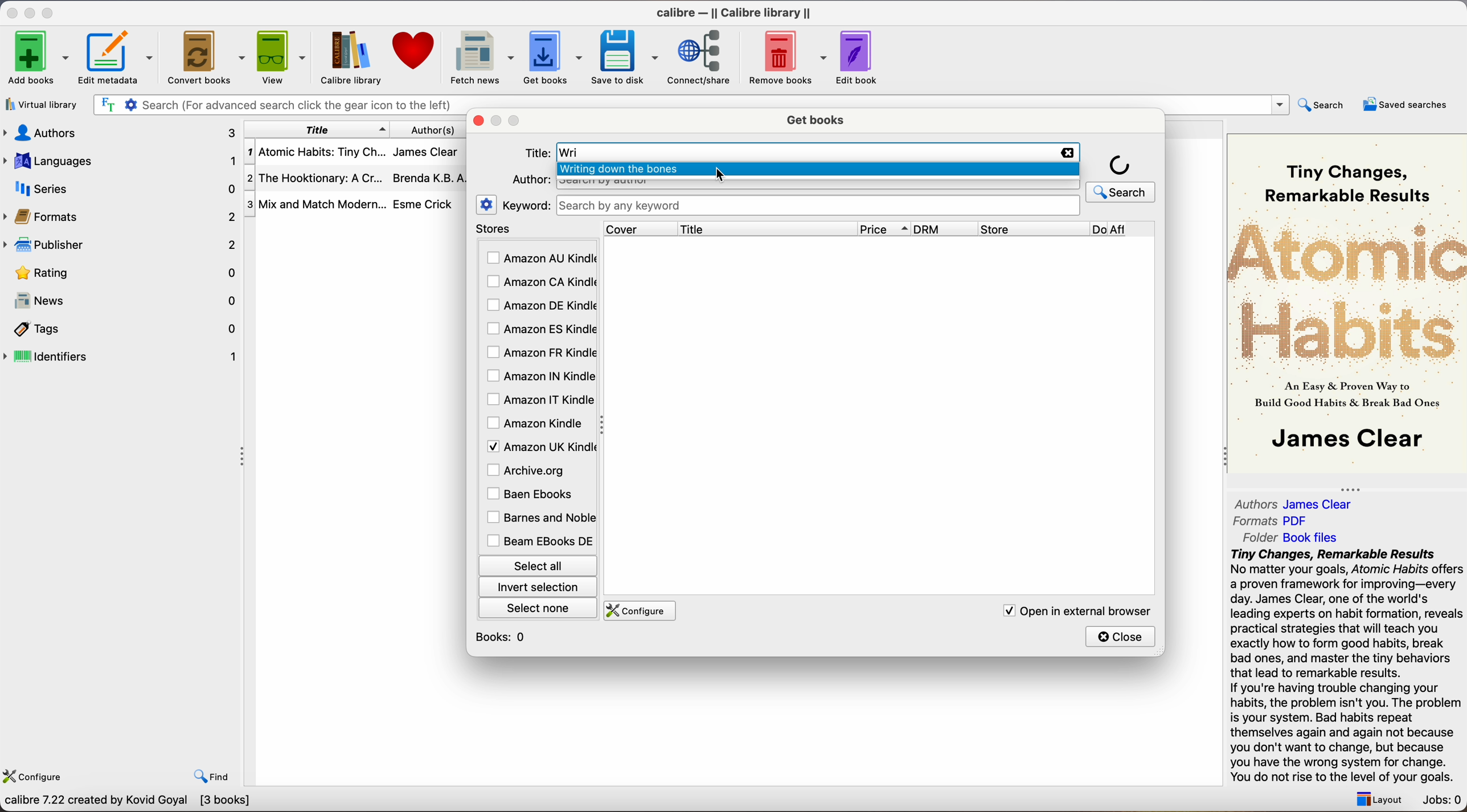 This screenshot has width=1467, height=812. I want to click on books: 0, so click(503, 637).